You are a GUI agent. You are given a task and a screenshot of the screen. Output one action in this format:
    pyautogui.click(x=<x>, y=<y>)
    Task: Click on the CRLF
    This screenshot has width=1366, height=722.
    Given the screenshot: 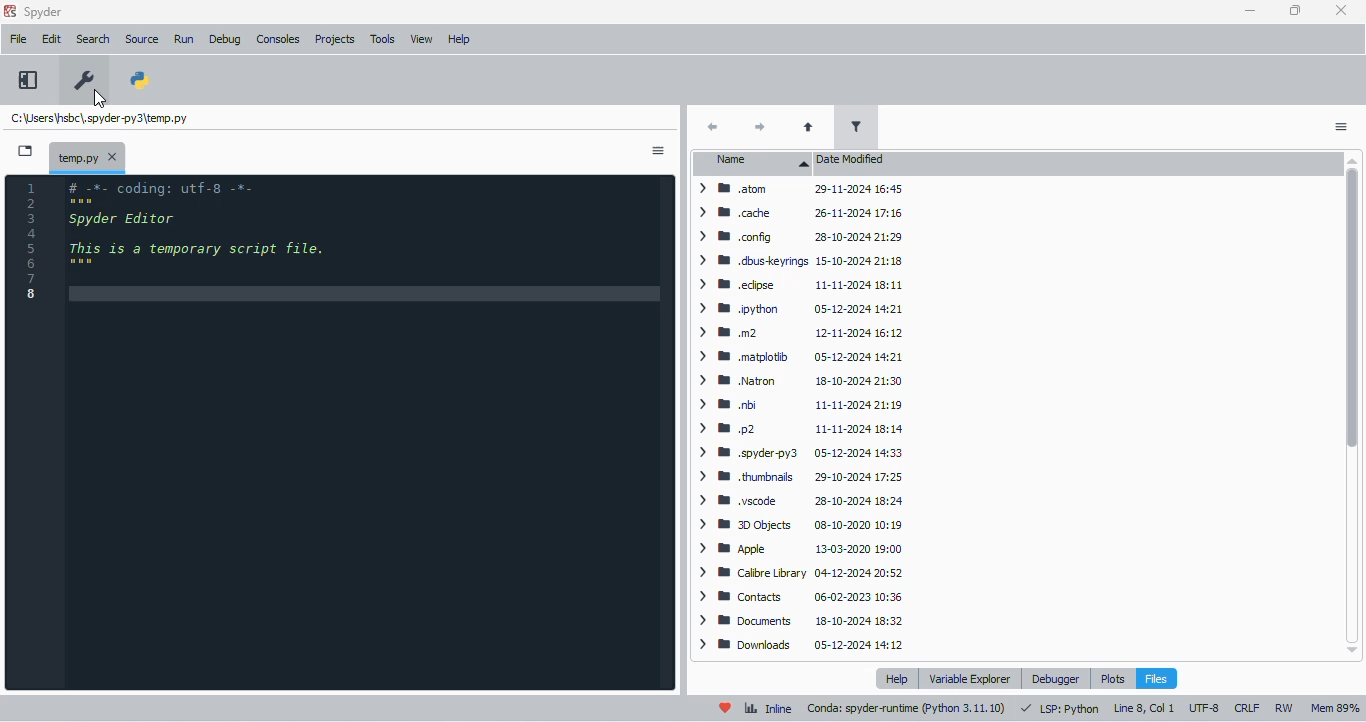 What is the action you would take?
    pyautogui.click(x=1248, y=708)
    